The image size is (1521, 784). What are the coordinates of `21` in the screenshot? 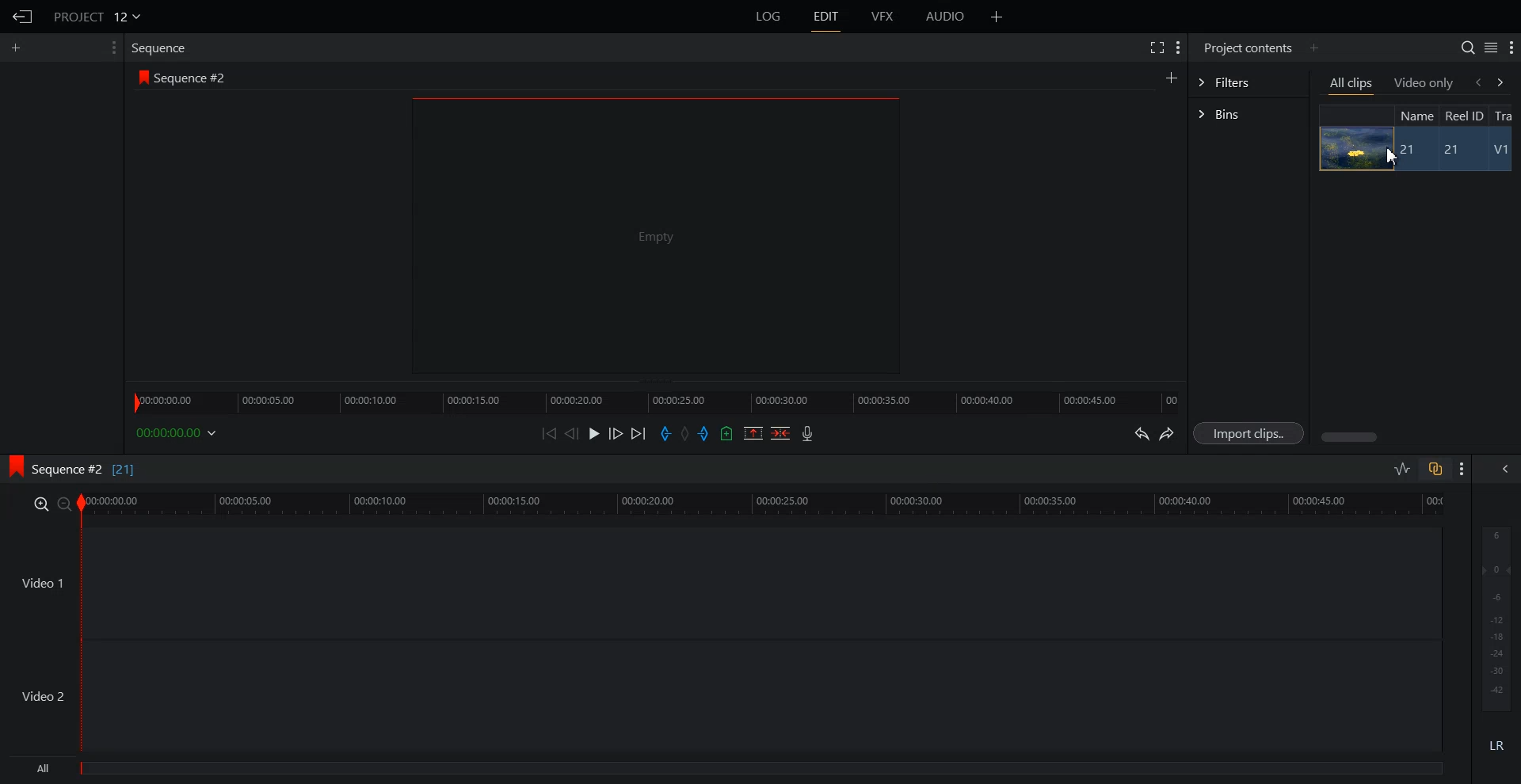 It's located at (1409, 150).